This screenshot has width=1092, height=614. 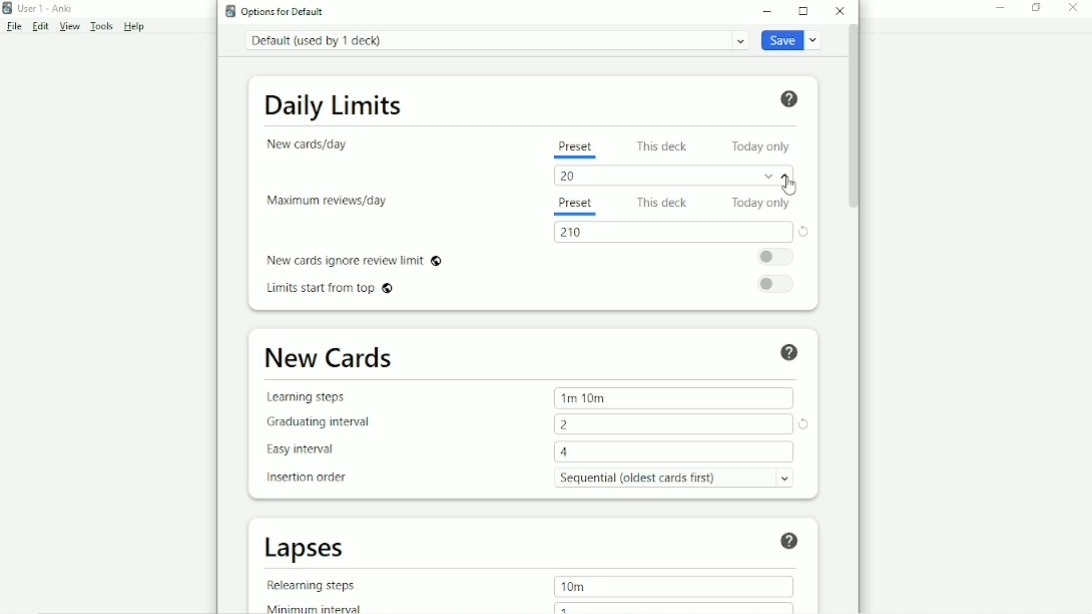 I want to click on This deck, so click(x=665, y=146).